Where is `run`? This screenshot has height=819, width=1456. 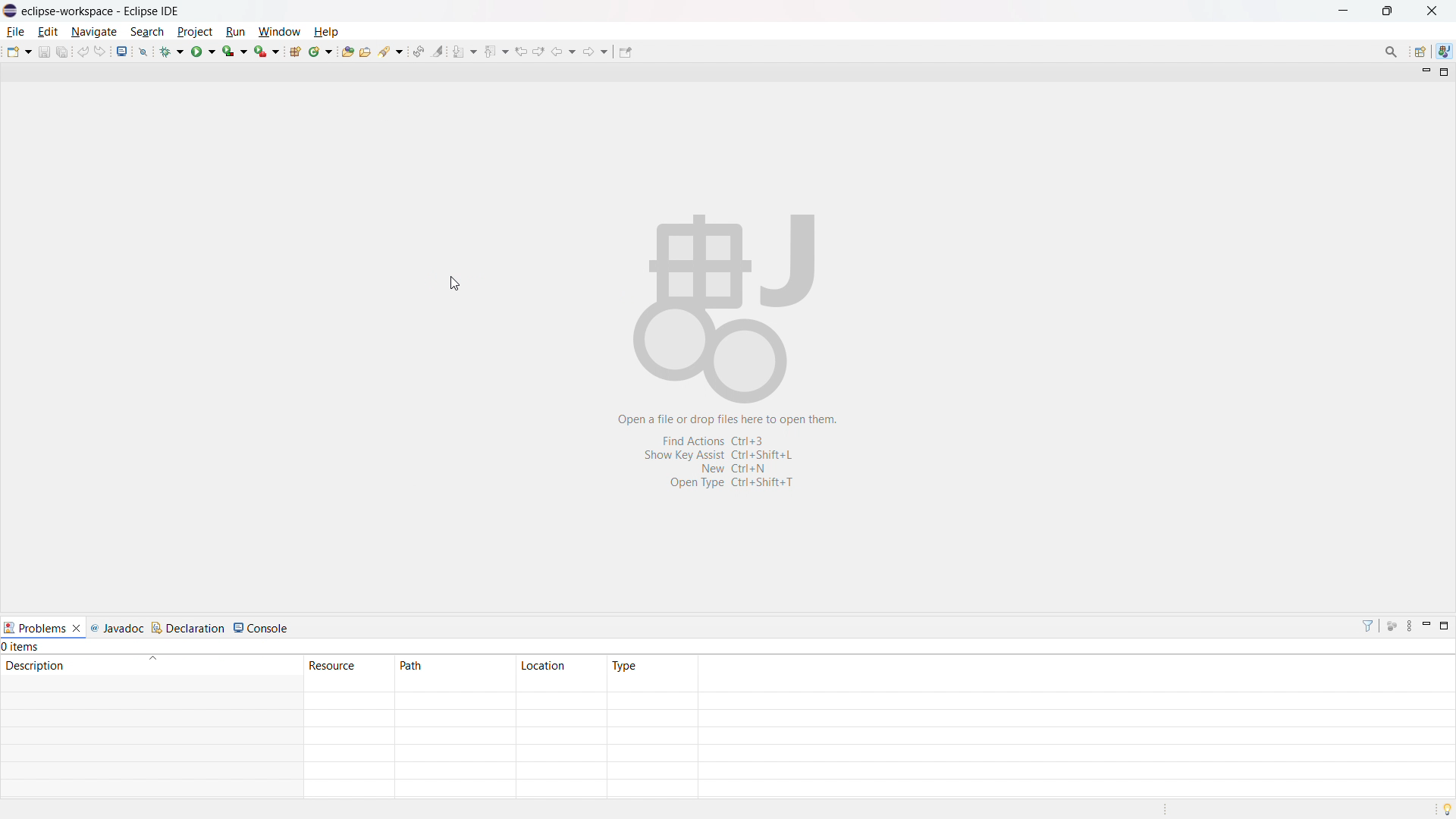 run is located at coordinates (204, 51).